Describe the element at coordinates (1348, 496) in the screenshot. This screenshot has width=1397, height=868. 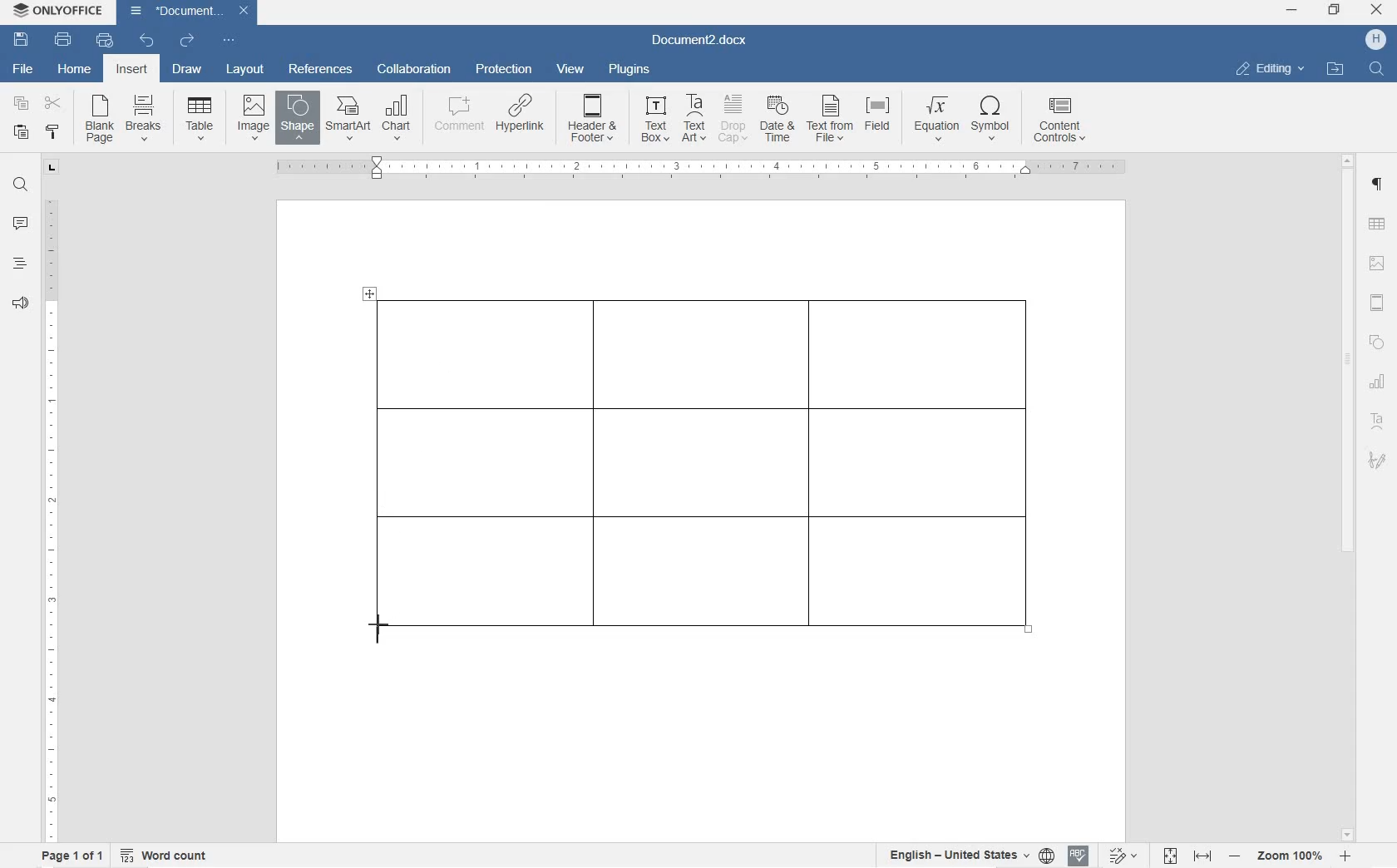
I see `scrollbar` at that location.